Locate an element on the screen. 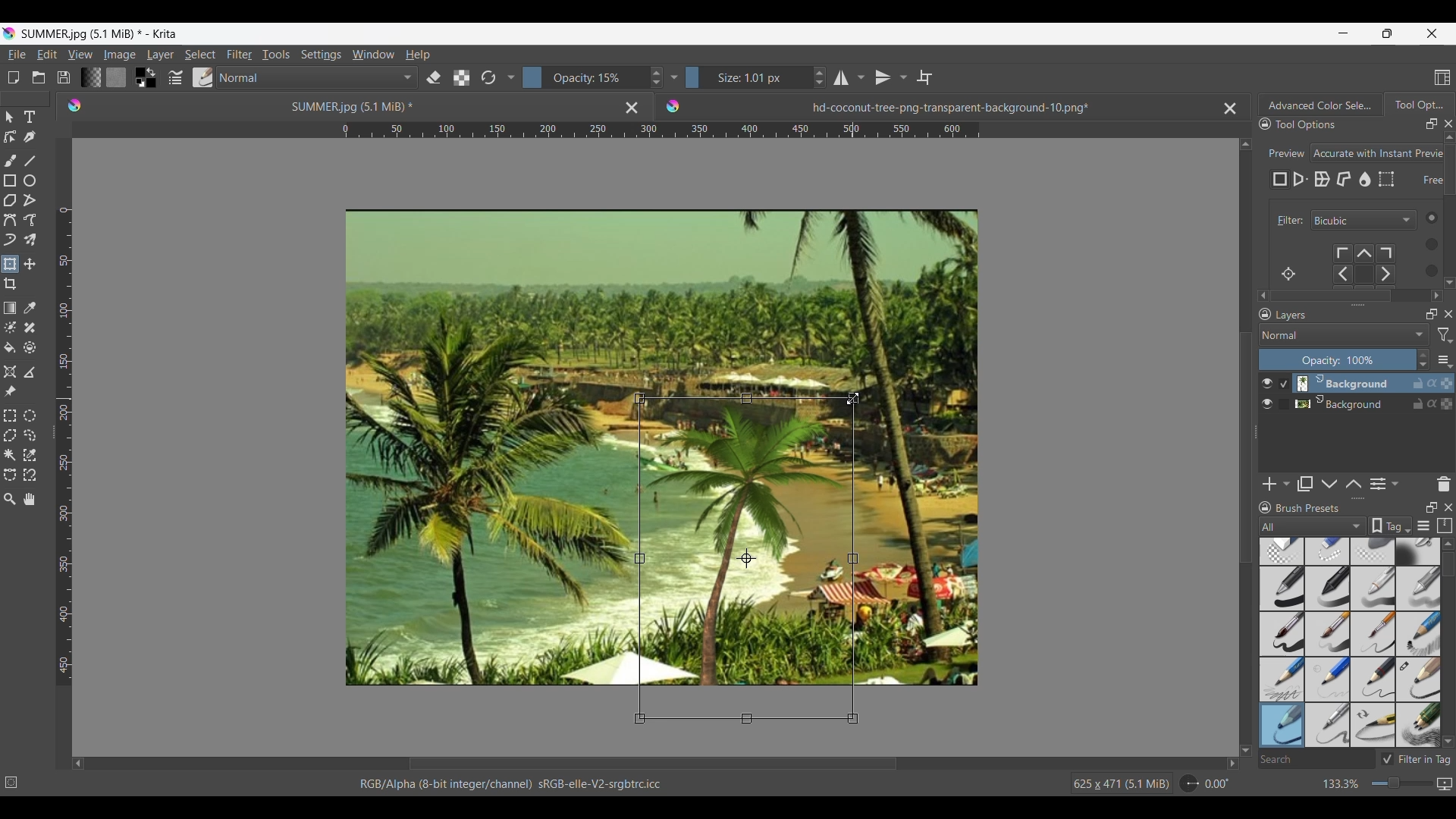 This screenshot has width=1456, height=819. Perspective is located at coordinates (1301, 180).